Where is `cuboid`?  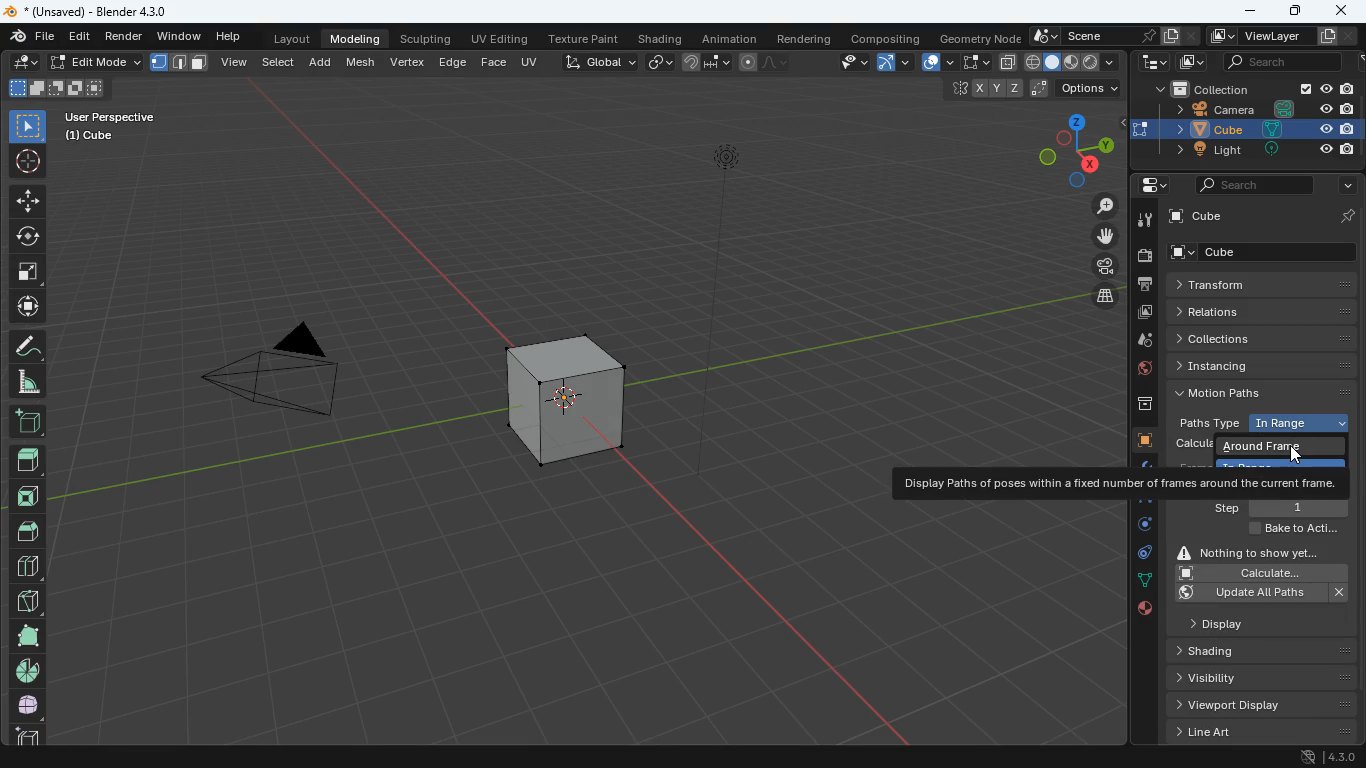
cuboid is located at coordinates (24, 734).